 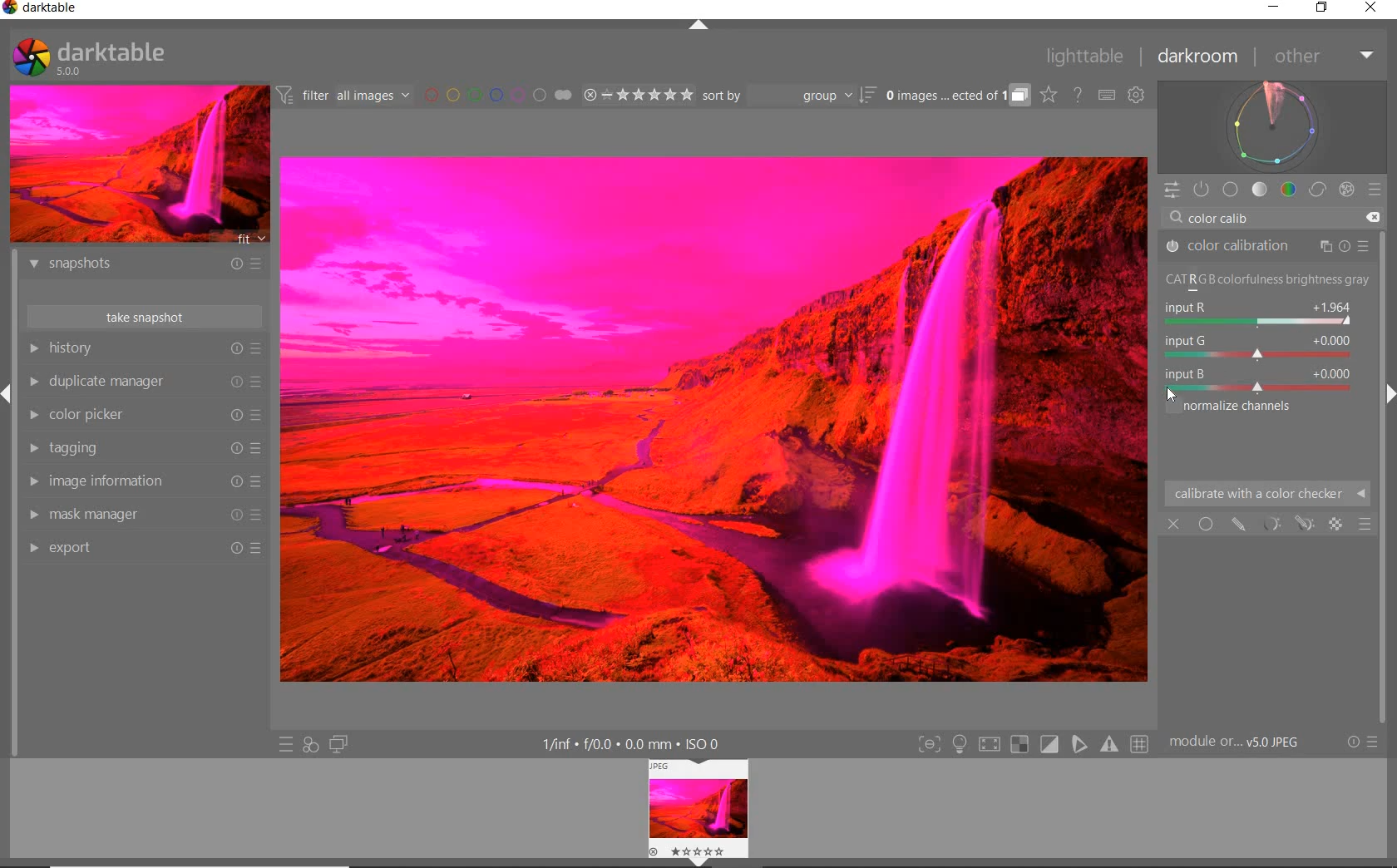 What do you see at coordinates (638, 94) in the screenshot?
I see `RANGE RATING OF SELECTED IMAGES` at bounding box center [638, 94].